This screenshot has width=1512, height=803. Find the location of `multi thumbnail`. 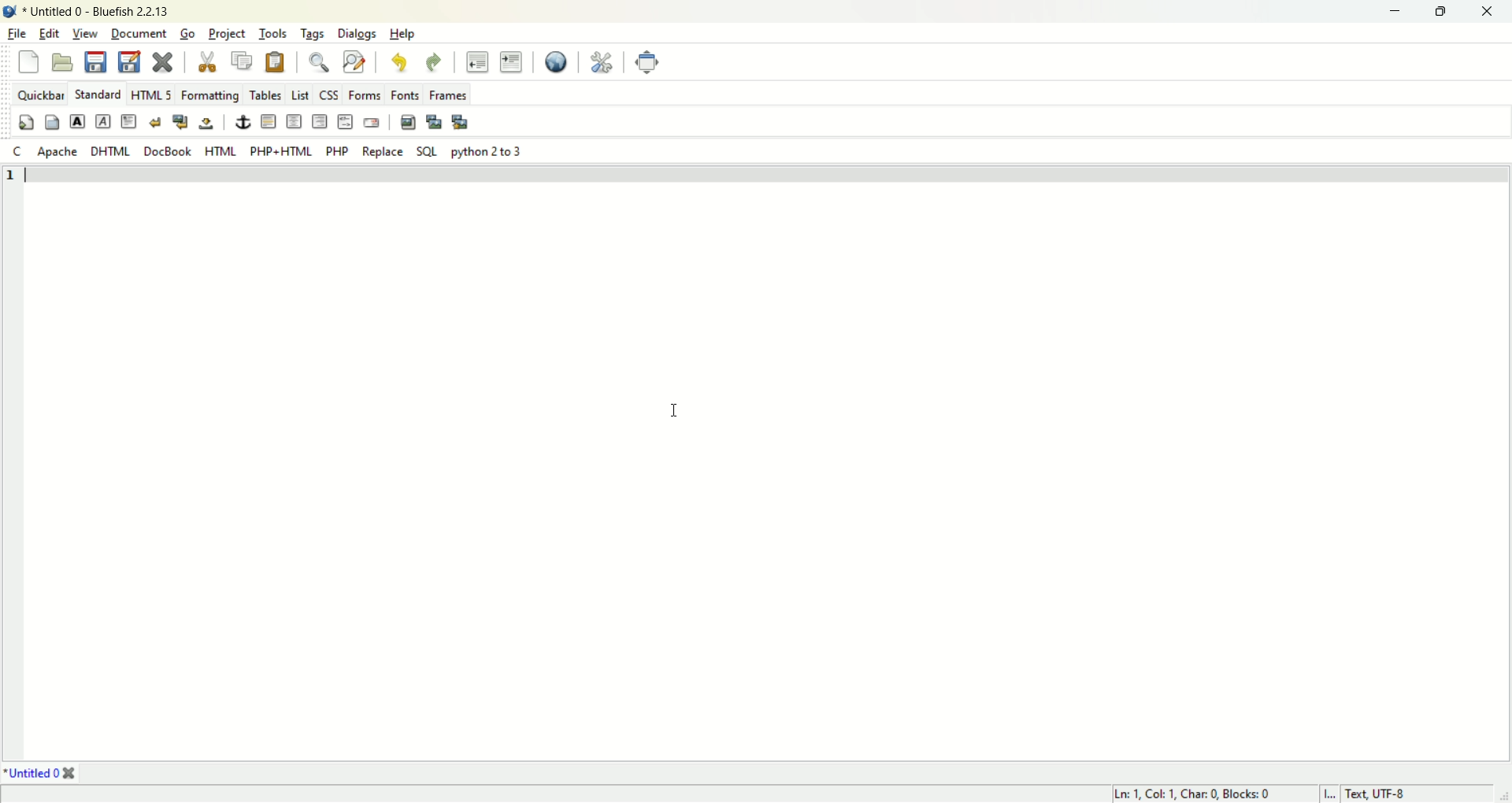

multi thumbnail is located at coordinates (462, 122).